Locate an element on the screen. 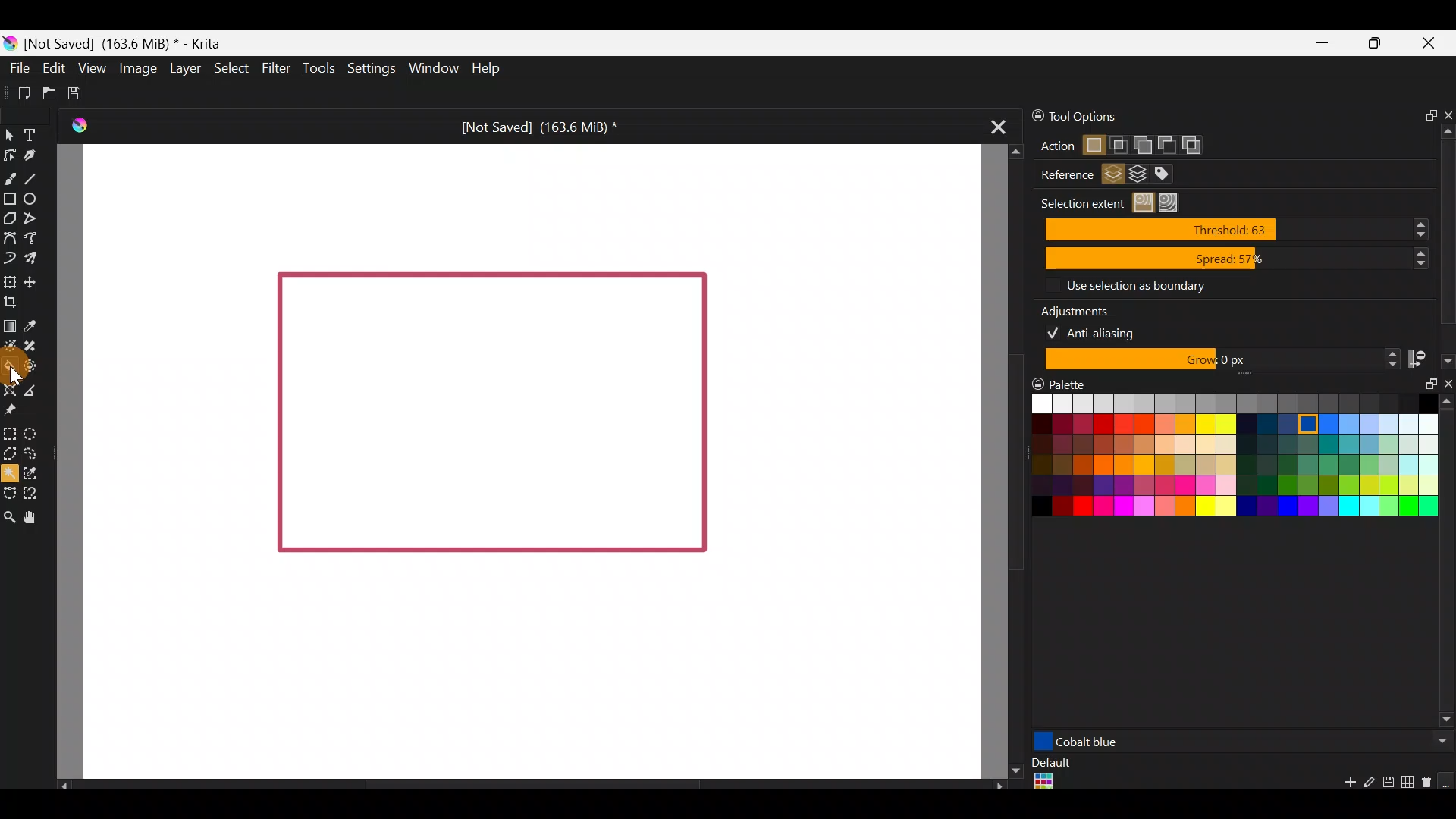 The image size is (1456, 819). Crop the image to an area is located at coordinates (17, 303).